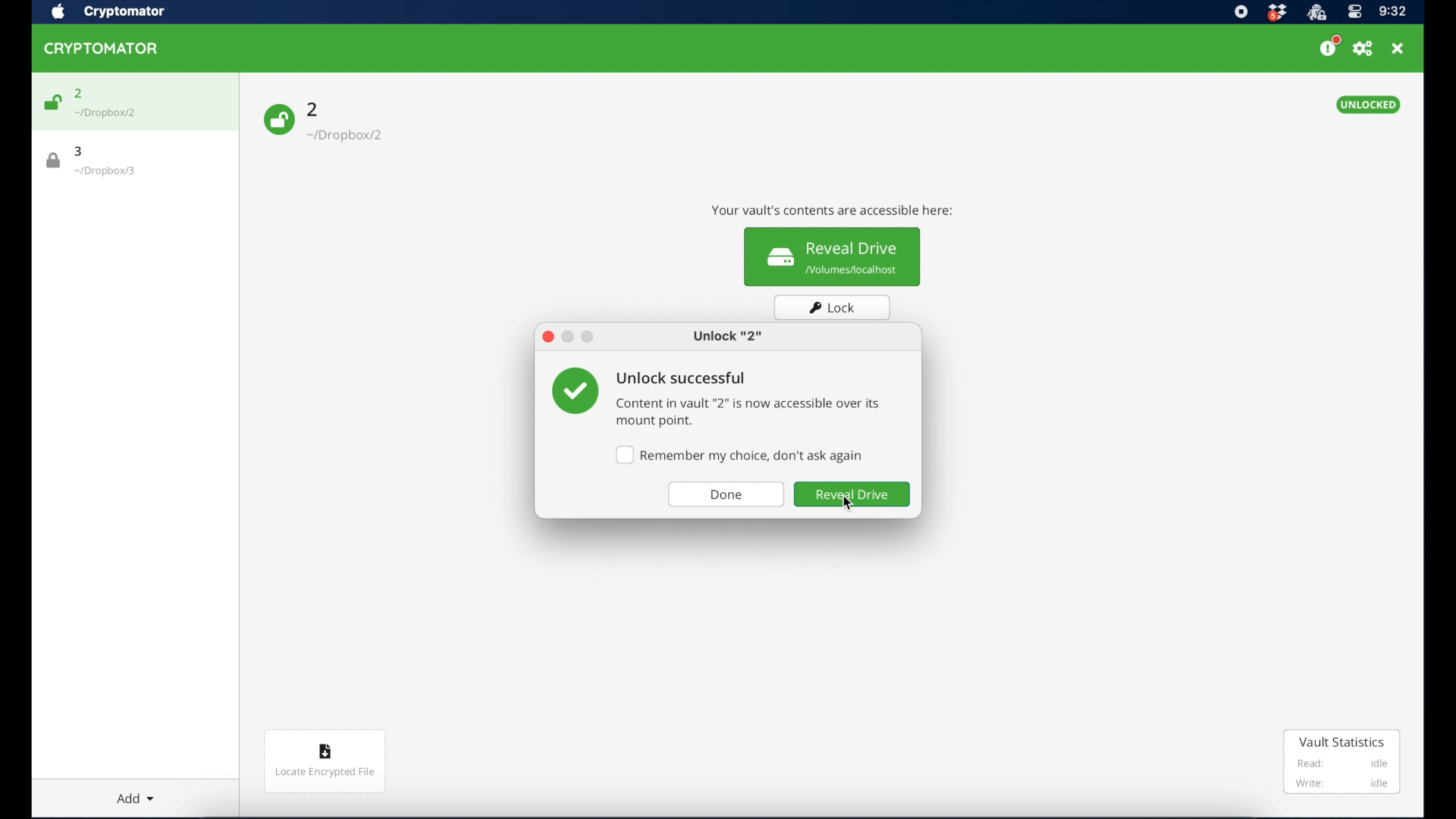 This screenshot has height=819, width=1456. I want to click on vault location, so click(346, 132).